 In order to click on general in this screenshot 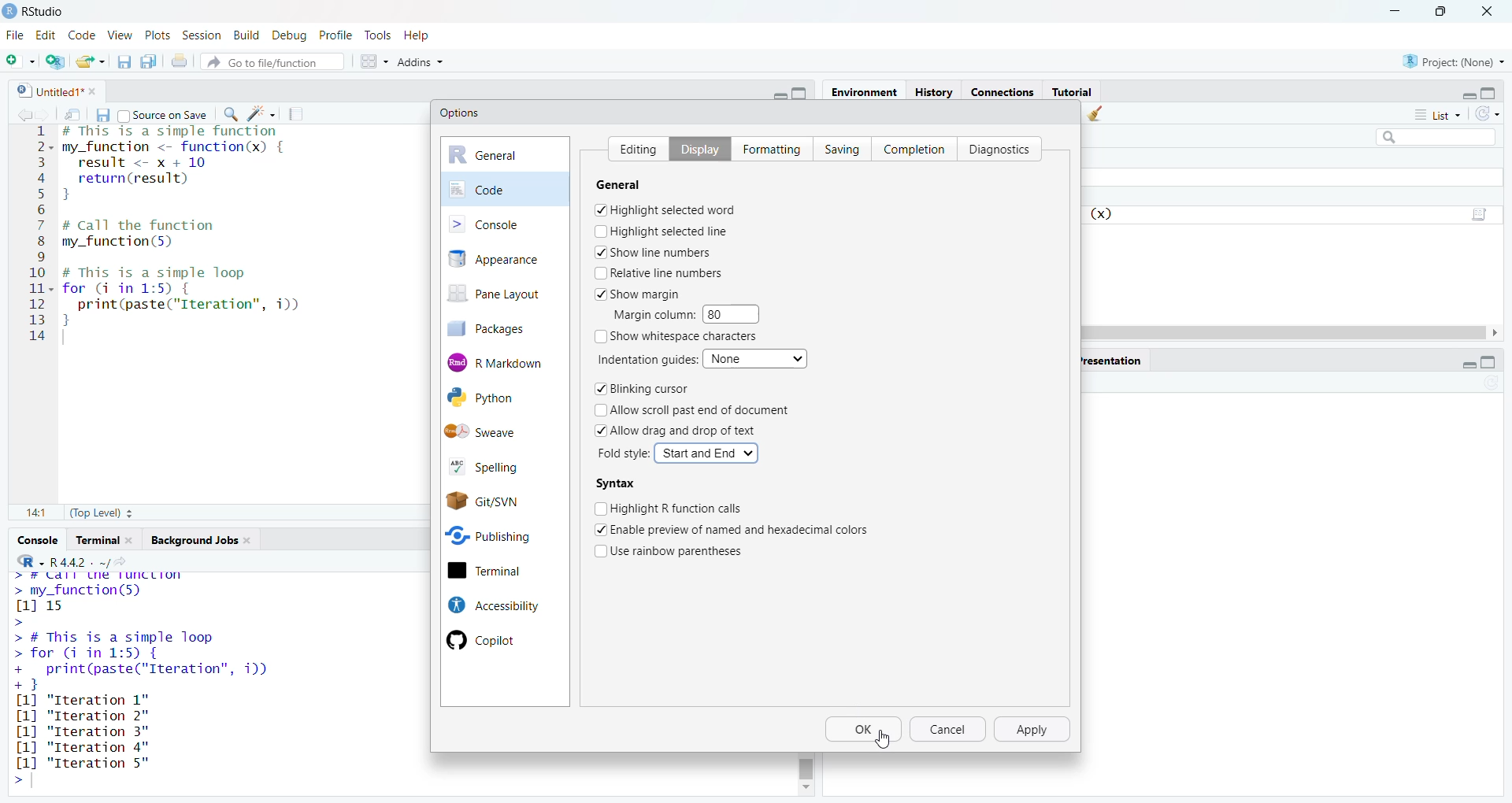, I will do `click(506, 155)`.